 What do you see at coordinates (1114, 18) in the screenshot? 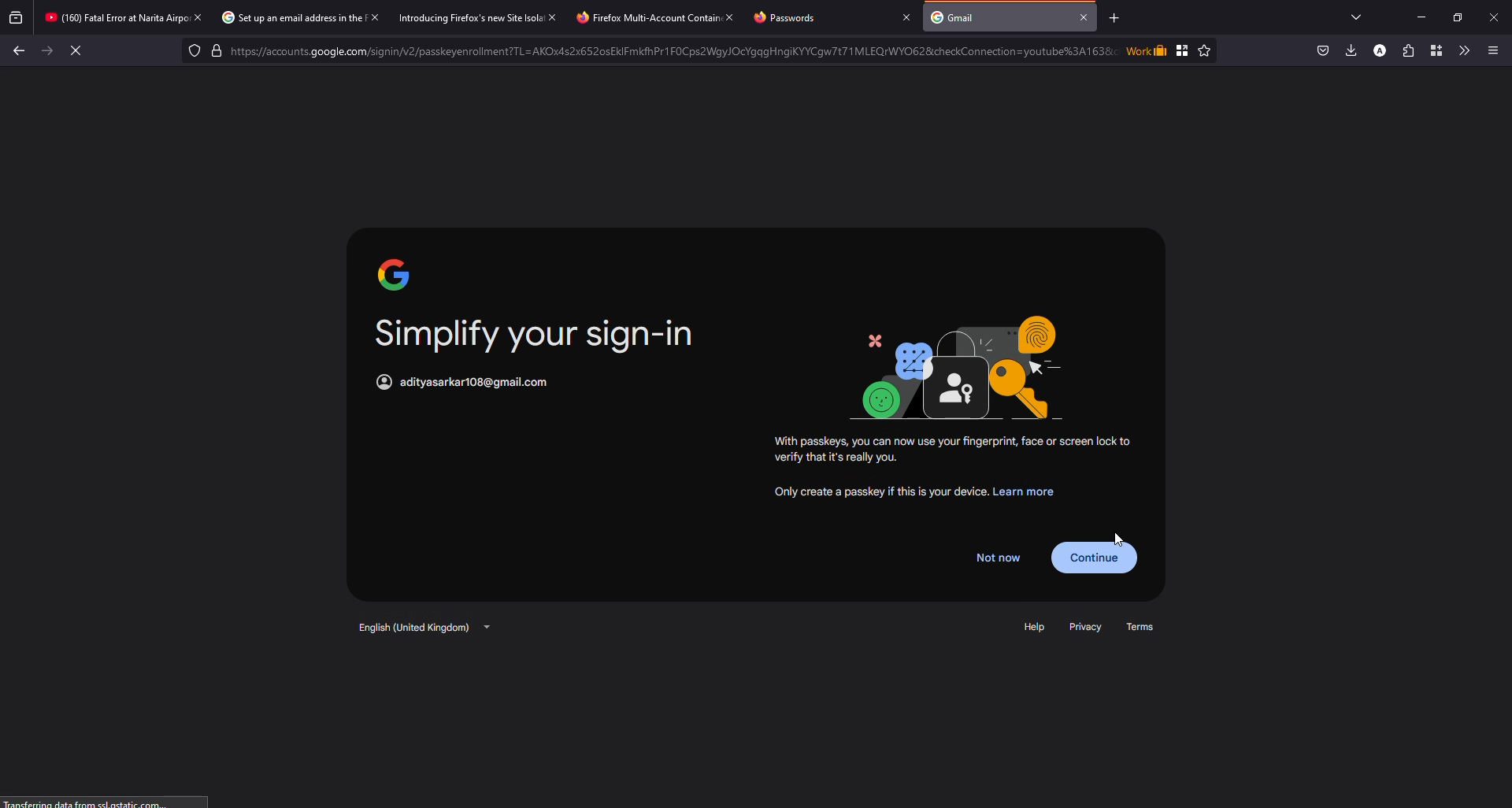
I see `add` at bounding box center [1114, 18].